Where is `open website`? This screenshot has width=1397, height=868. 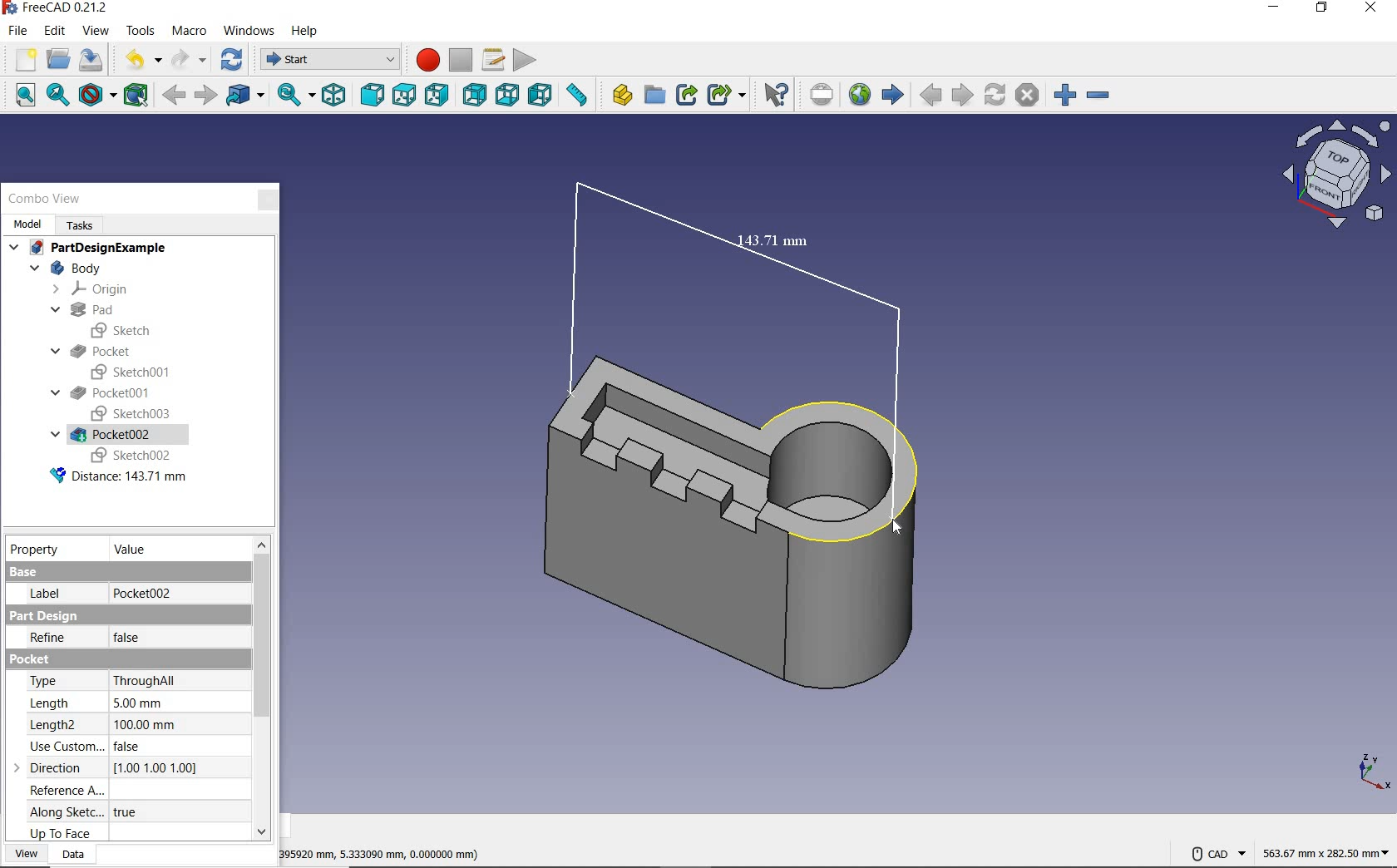 open website is located at coordinates (859, 94).